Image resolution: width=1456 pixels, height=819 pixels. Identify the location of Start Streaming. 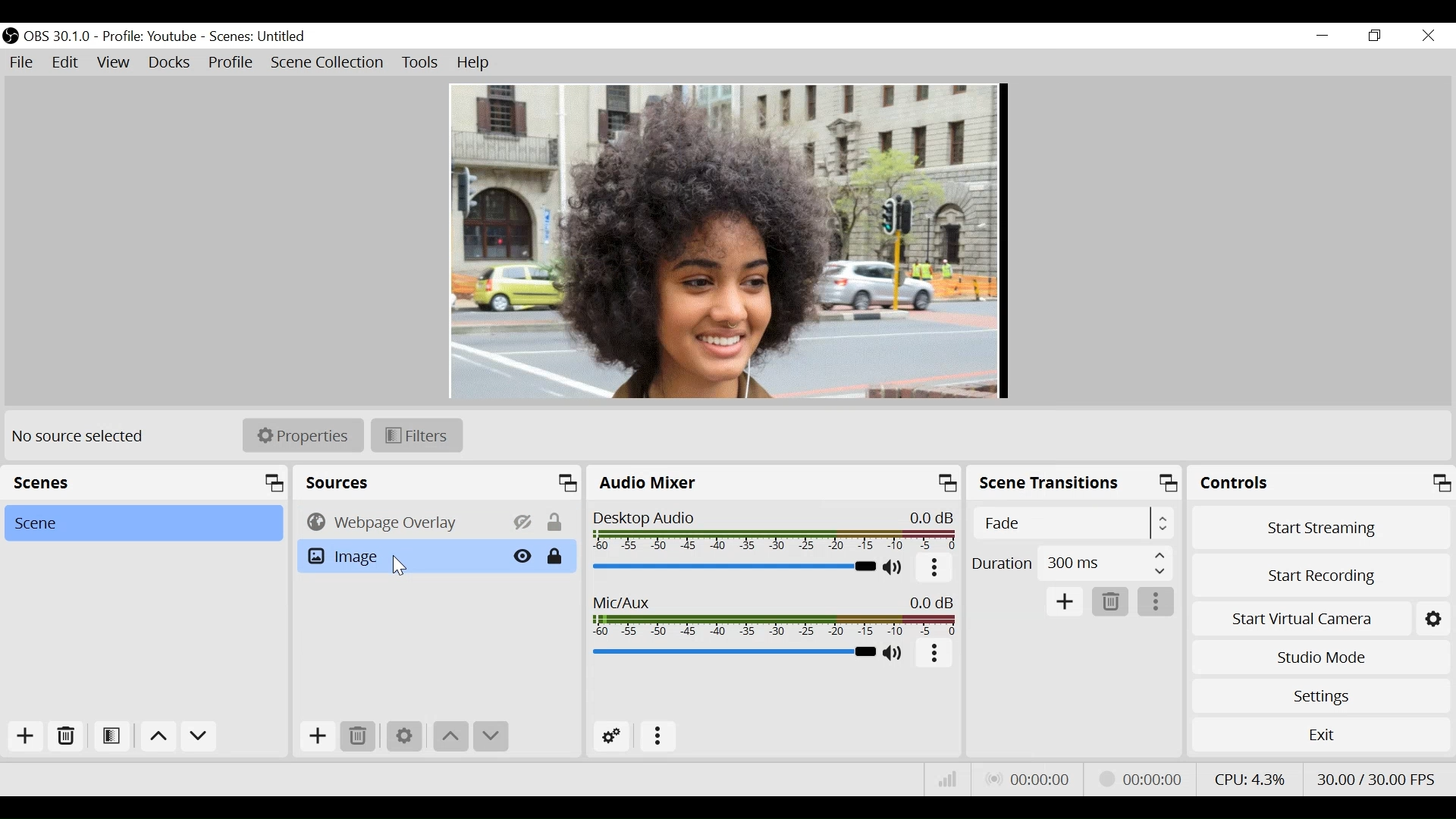
(1321, 528).